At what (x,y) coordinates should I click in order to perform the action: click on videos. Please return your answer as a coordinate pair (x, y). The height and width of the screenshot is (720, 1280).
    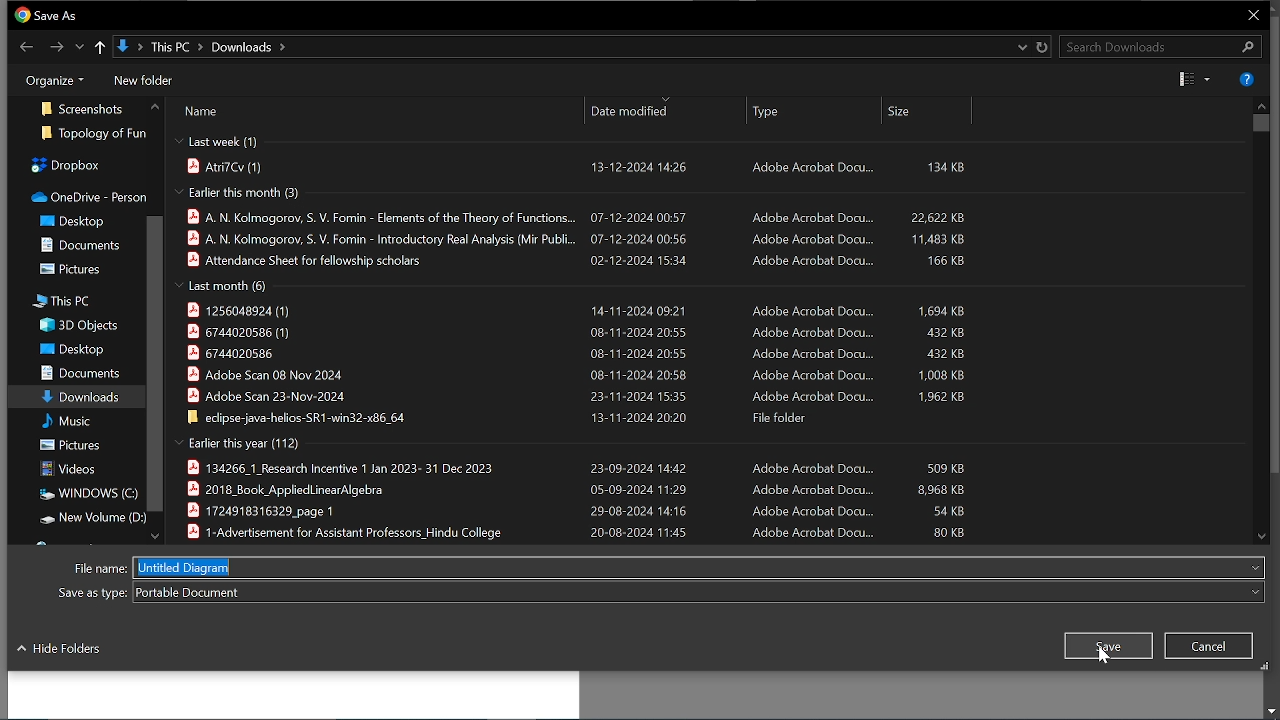
    Looking at the image, I should click on (68, 467).